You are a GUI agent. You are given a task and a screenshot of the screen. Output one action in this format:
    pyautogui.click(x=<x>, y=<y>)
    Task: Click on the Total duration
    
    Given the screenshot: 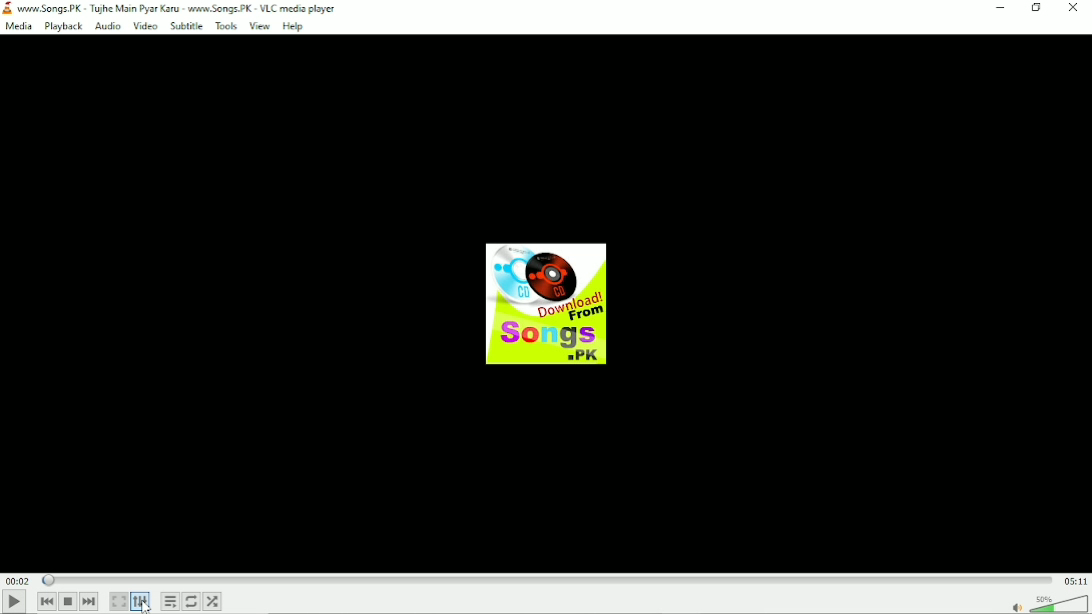 What is the action you would take?
    pyautogui.click(x=1077, y=580)
    